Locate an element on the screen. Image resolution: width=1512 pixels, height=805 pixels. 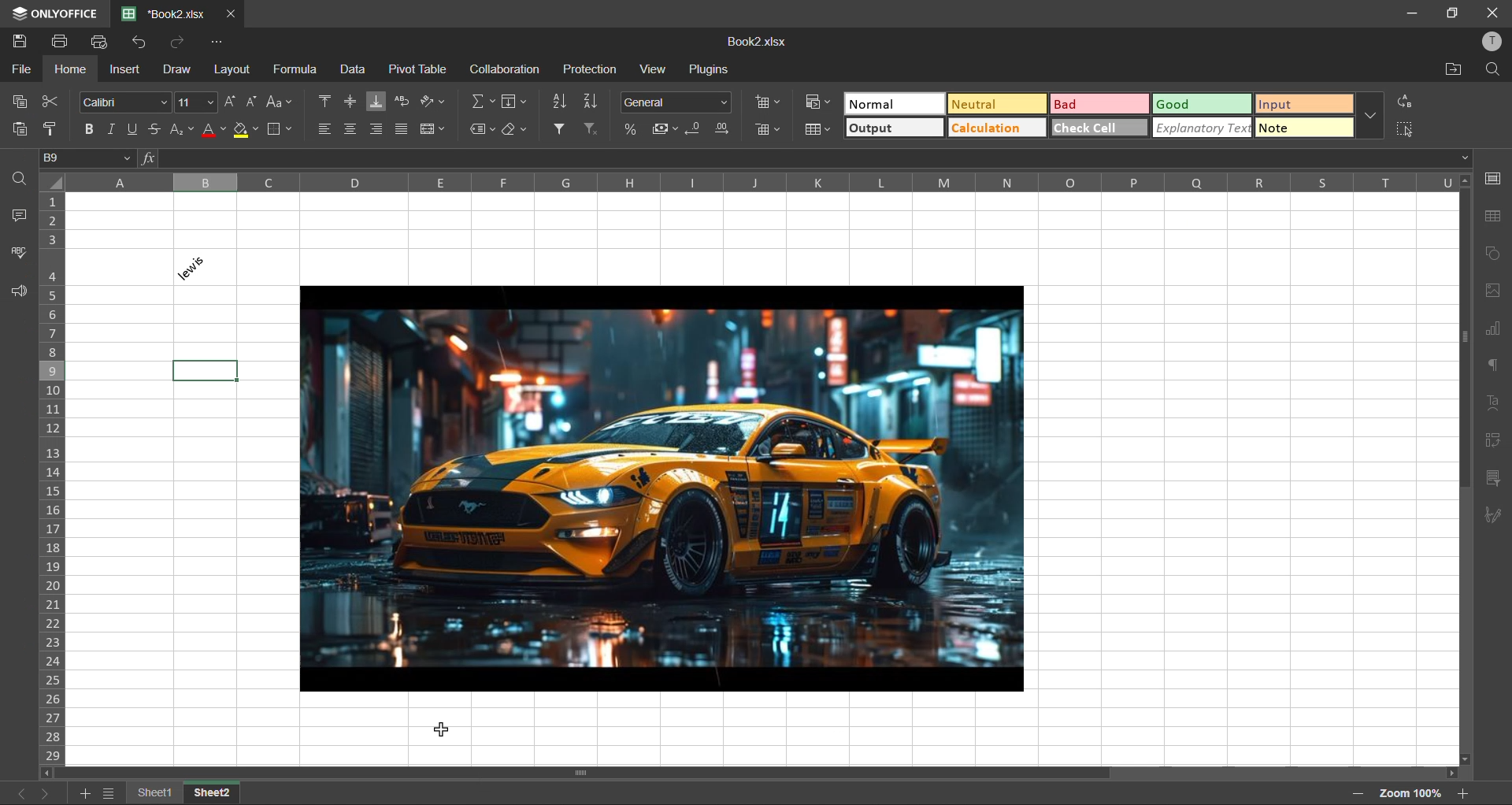
normal is located at coordinates (893, 105).